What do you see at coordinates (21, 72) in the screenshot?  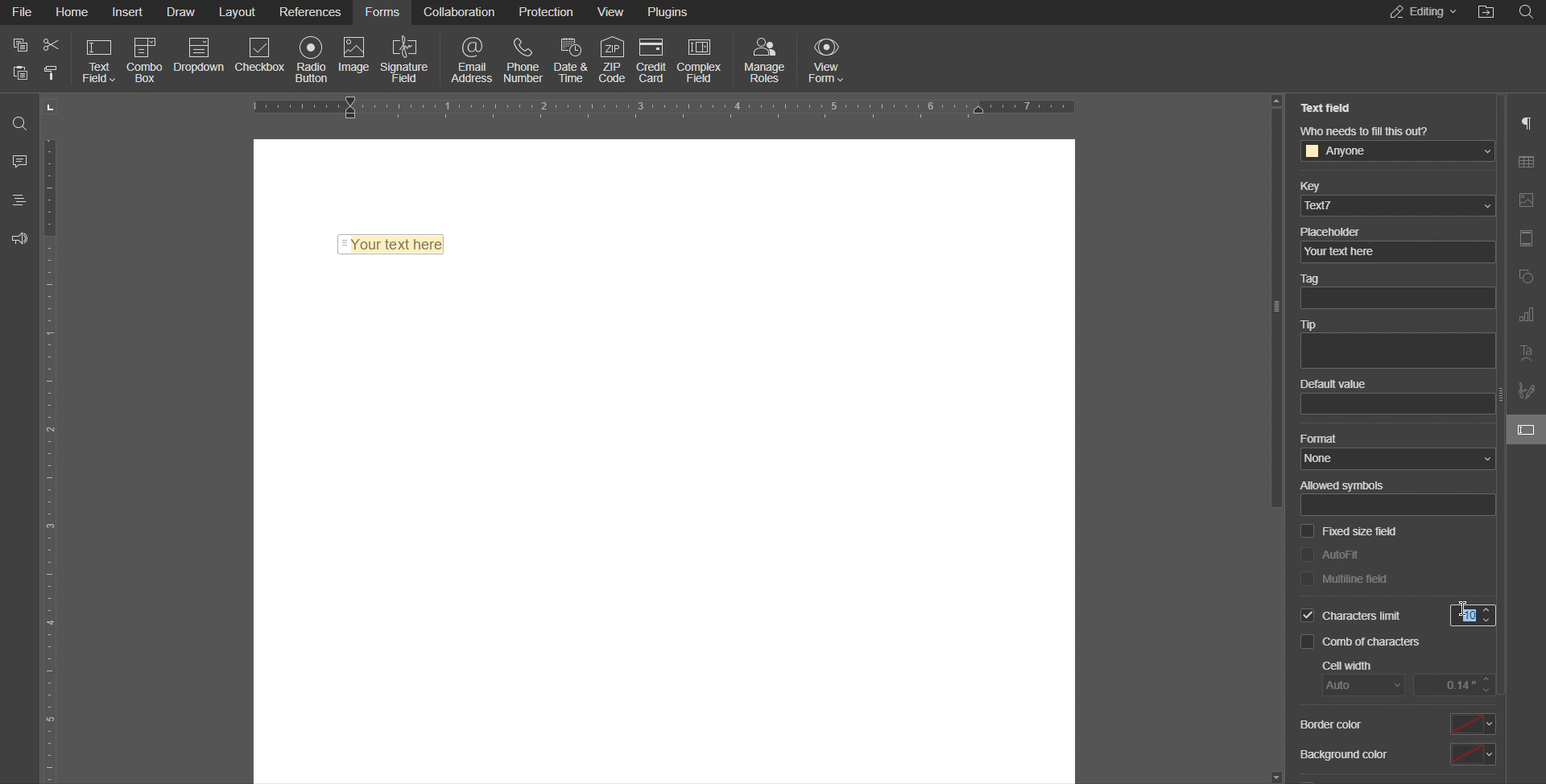 I see `paste` at bounding box center [21, 72].